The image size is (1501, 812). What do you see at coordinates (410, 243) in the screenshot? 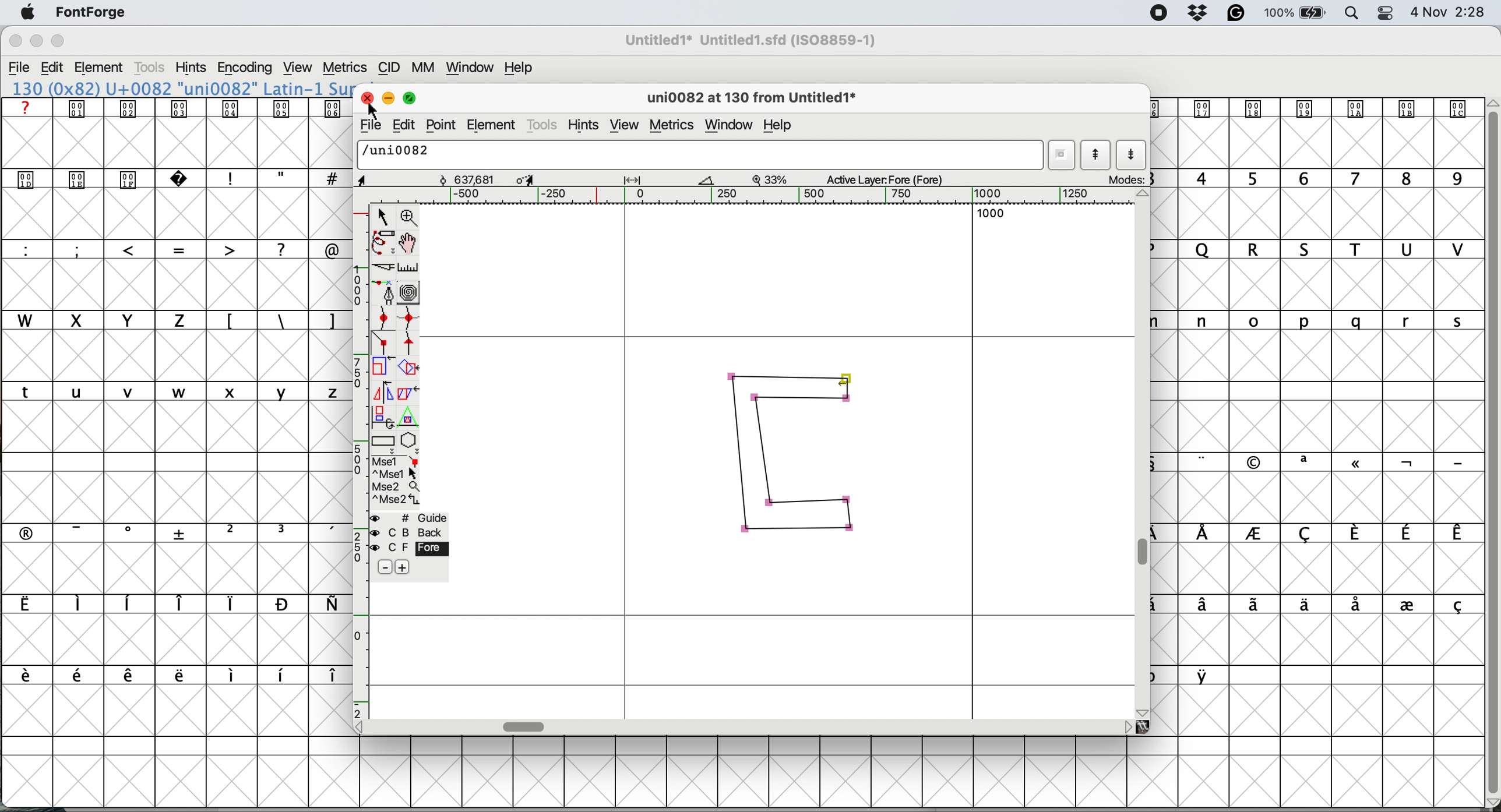
I see `scroll by hand` at bounding box center [410, 243].